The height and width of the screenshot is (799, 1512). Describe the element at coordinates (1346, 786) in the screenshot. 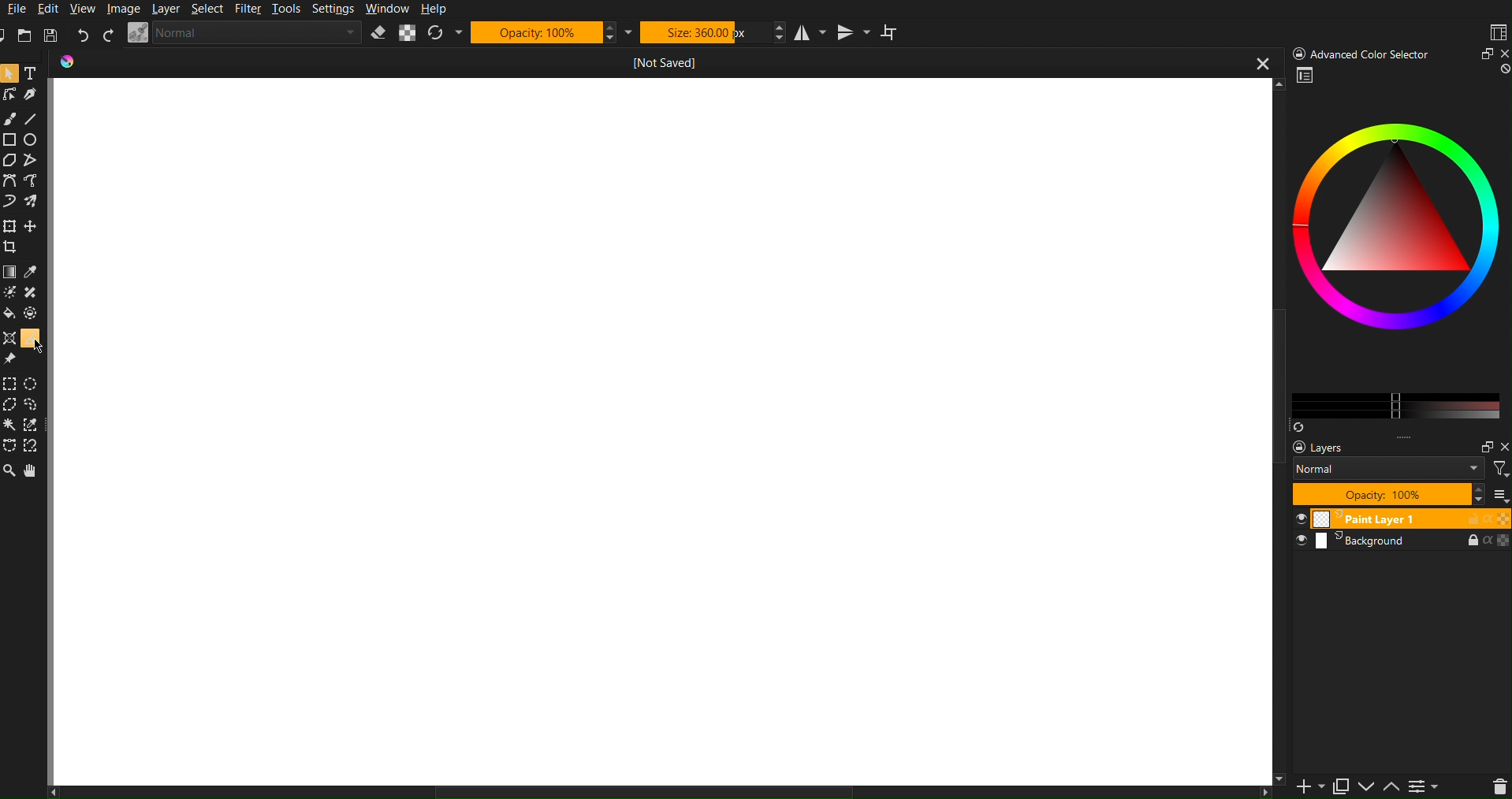

I see `Copy` at that location.